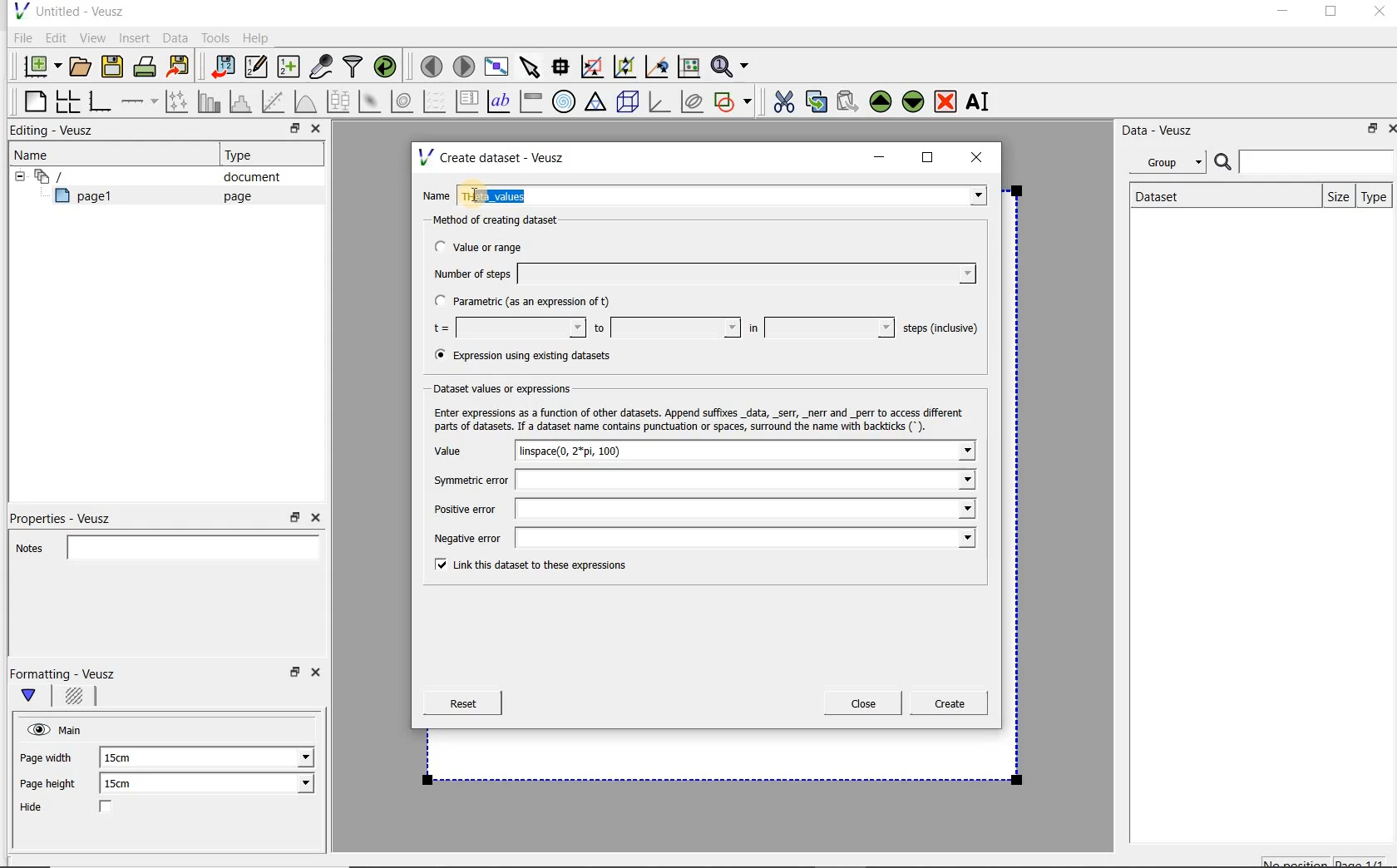  I want to click on Positive error, so click(698, 509).